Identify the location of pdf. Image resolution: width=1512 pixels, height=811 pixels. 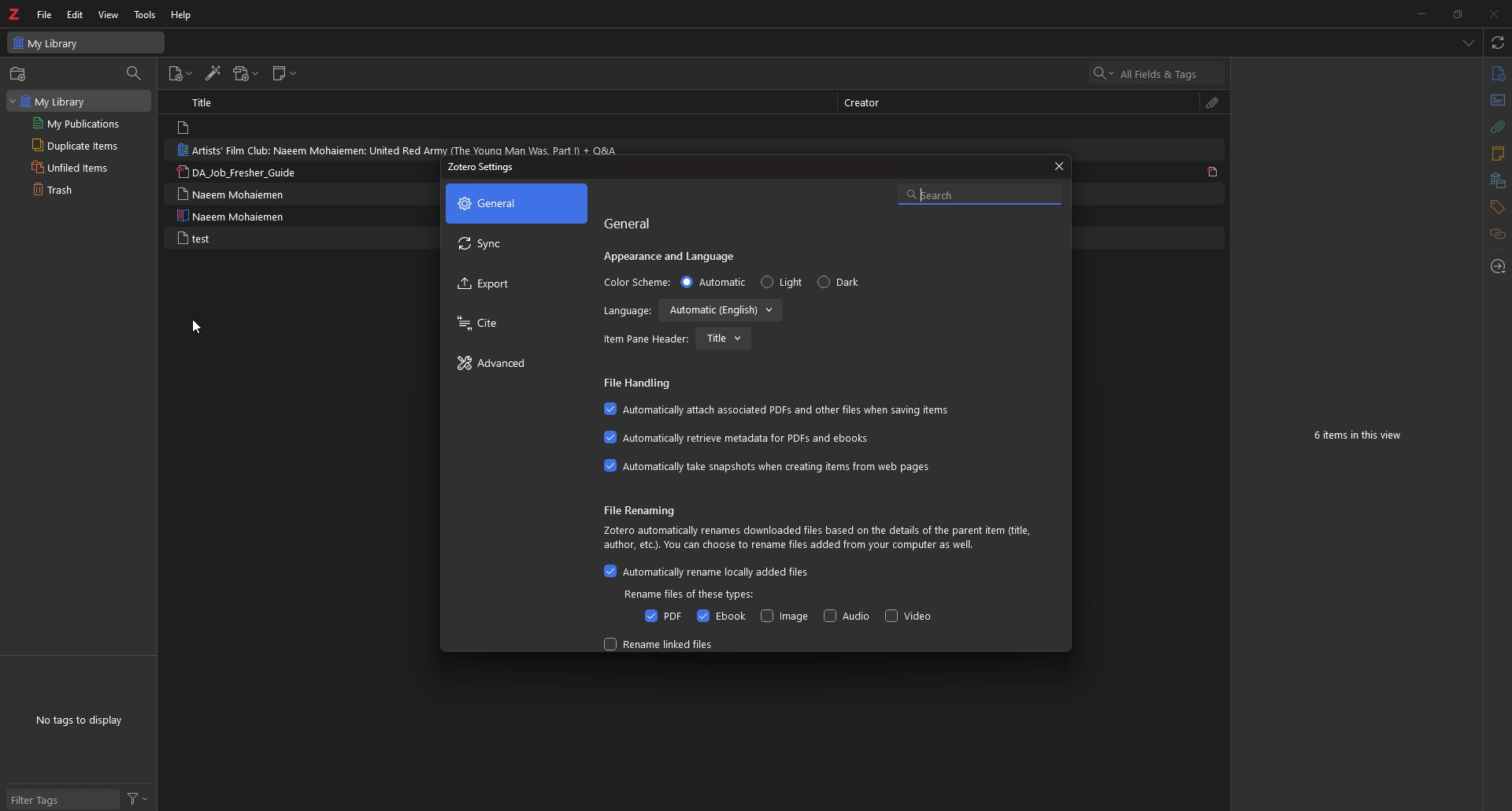
(661, 616).